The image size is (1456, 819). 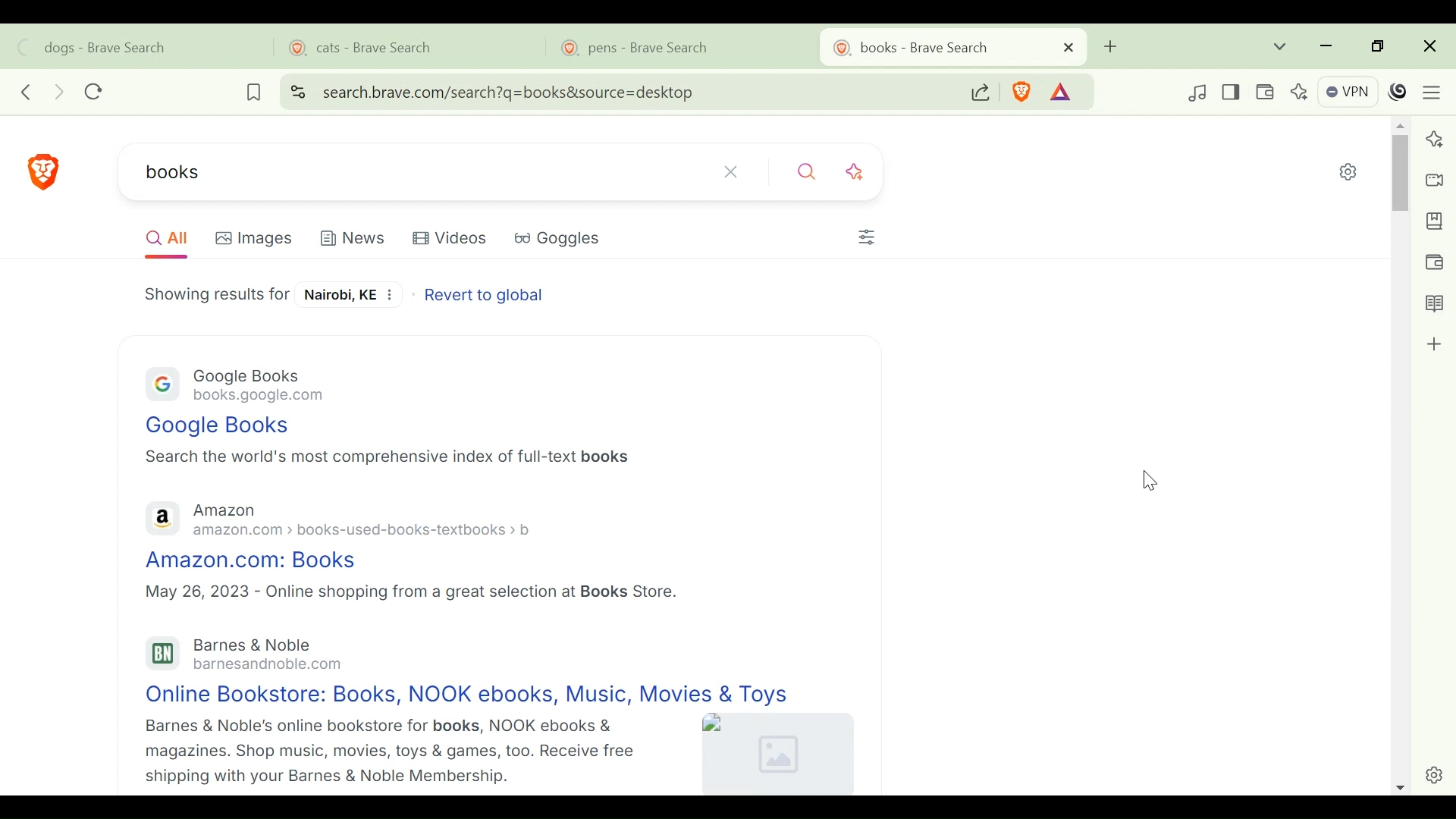 I want to click on Revert to global, so click(x=488, y=298).